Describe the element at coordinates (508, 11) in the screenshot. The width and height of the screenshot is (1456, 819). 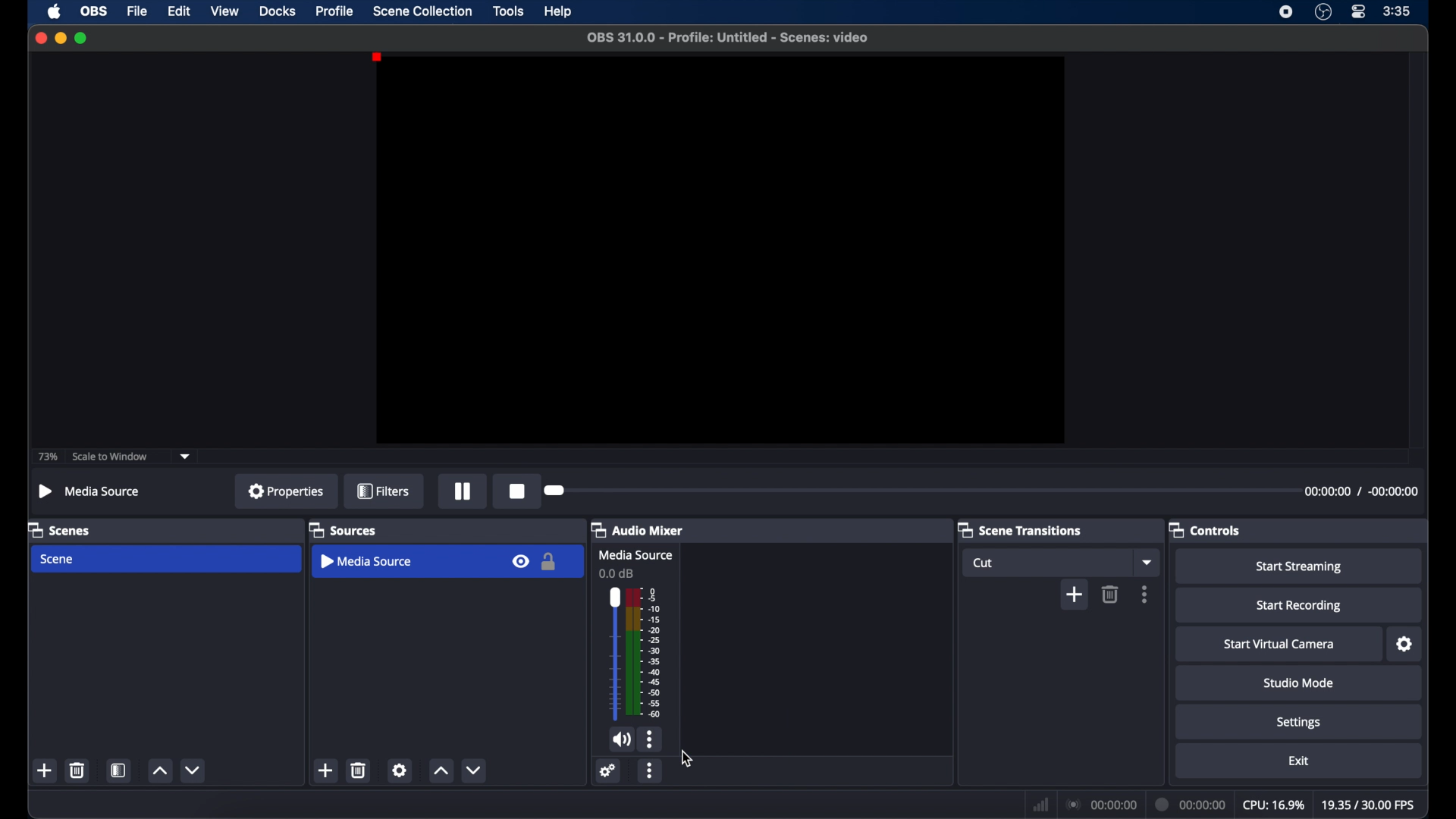
I see `tools` at that location.